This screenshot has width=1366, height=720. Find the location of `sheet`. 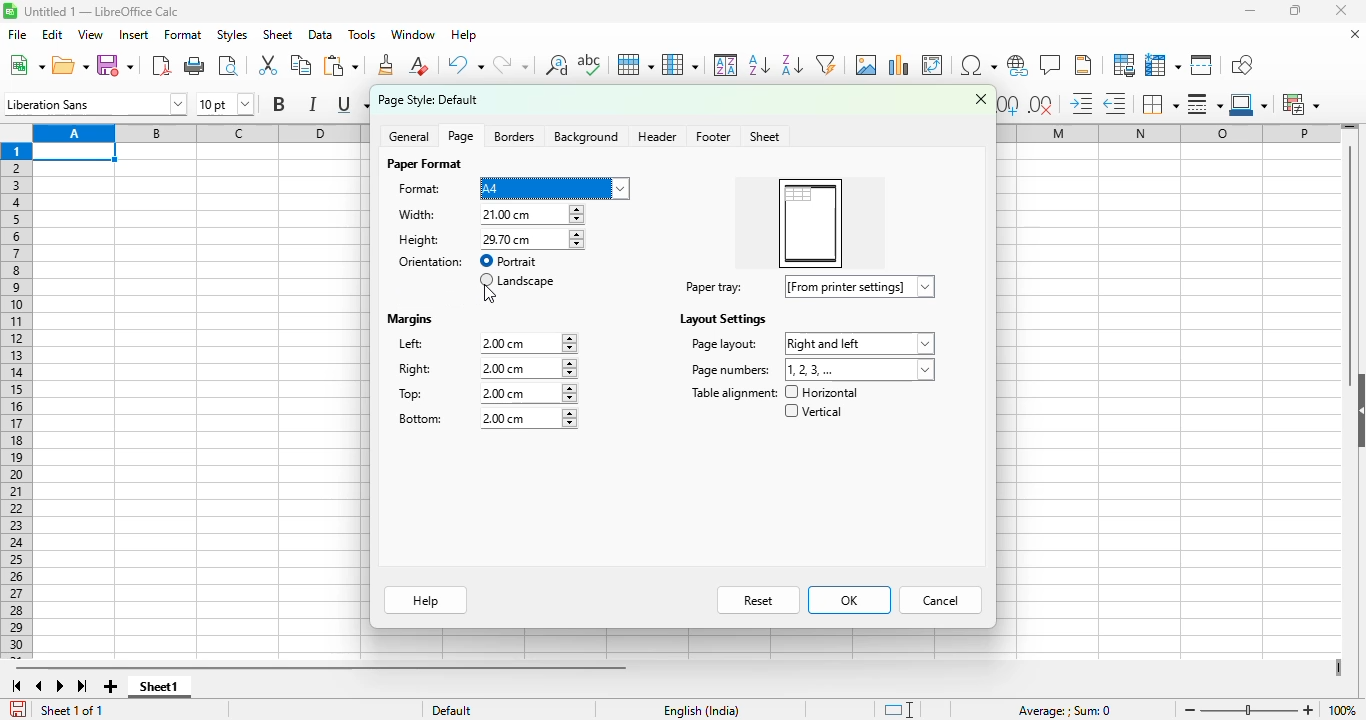

sheet is located at coordinates (766, 137).